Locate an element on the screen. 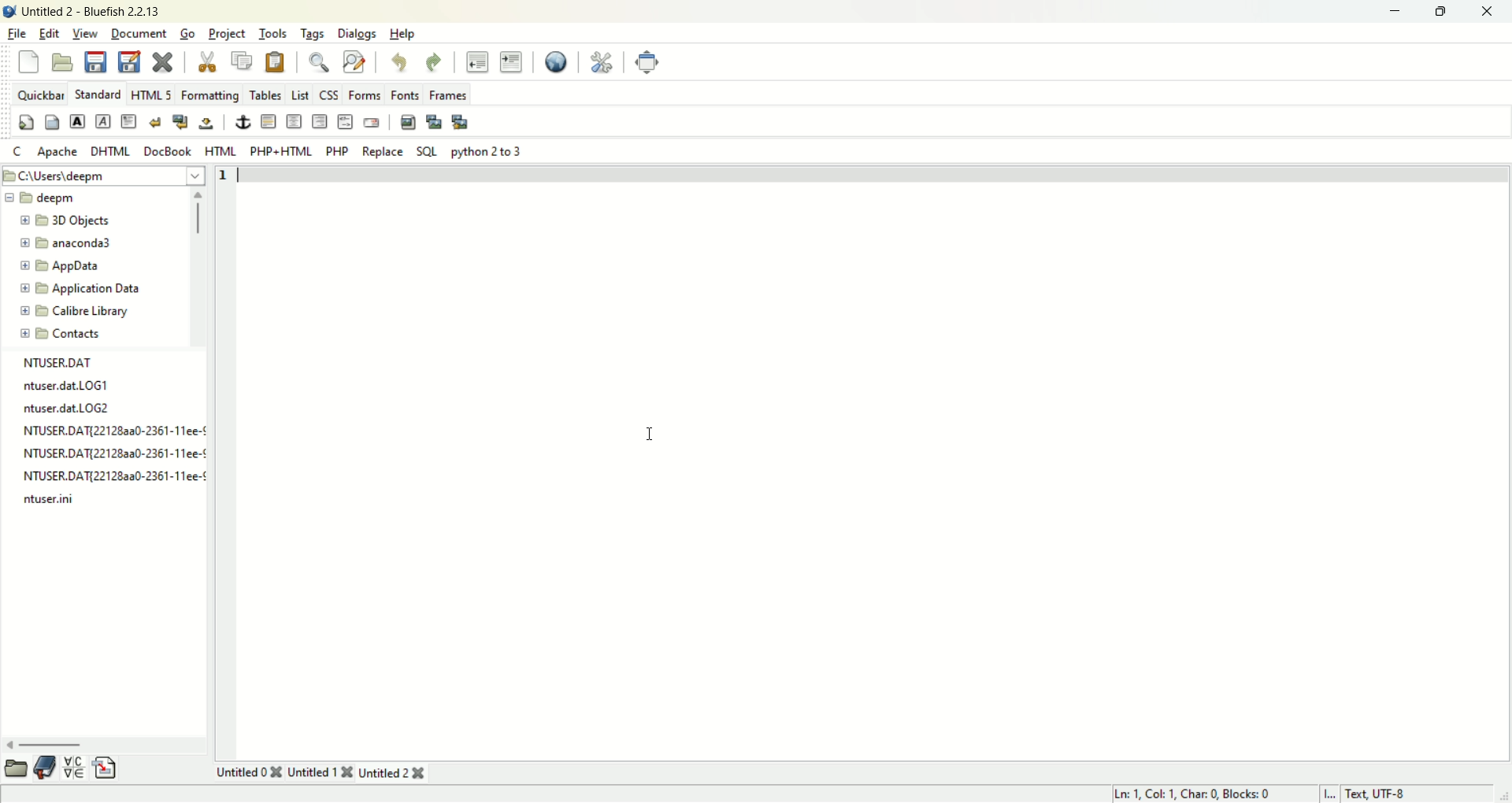 The height and width of the screenshot is (803, 1512). PHP+HTML is located at coordinates (281, 153).